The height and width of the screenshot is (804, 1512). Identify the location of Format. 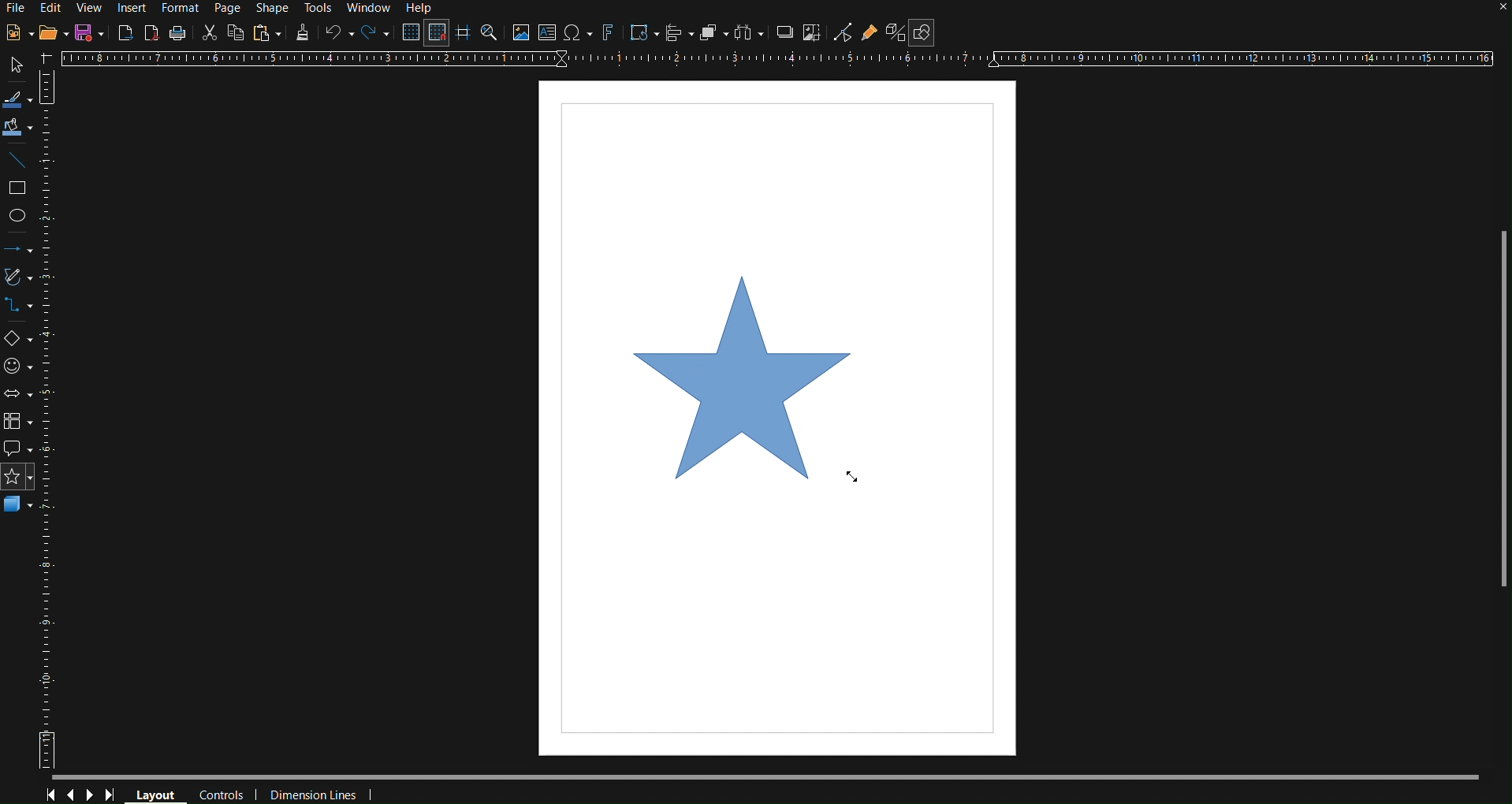
(181, 7).